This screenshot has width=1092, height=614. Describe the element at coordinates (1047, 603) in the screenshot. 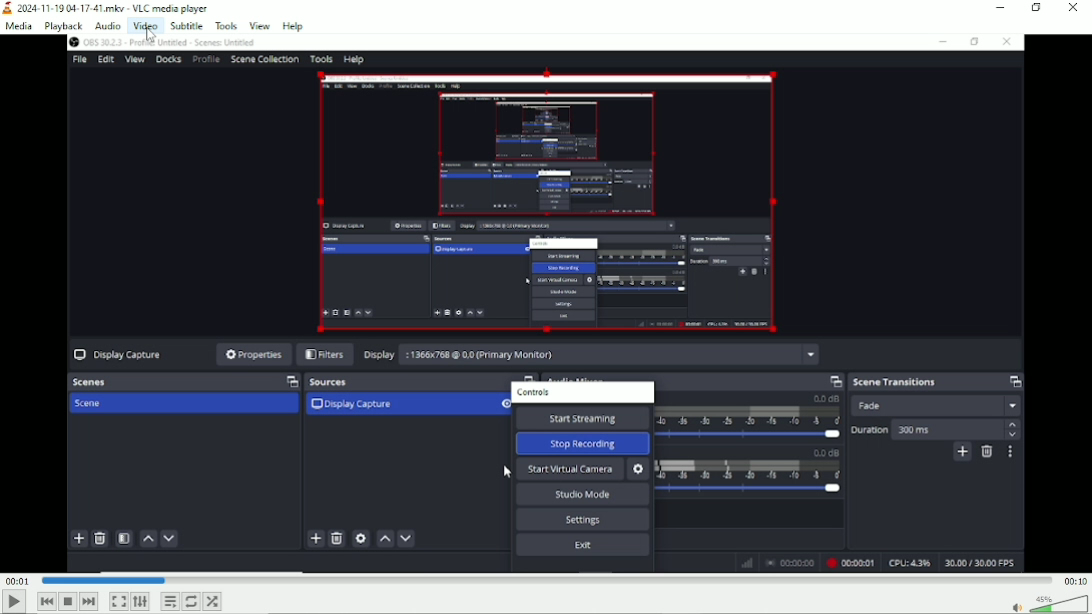

I see `Volume` at that location.